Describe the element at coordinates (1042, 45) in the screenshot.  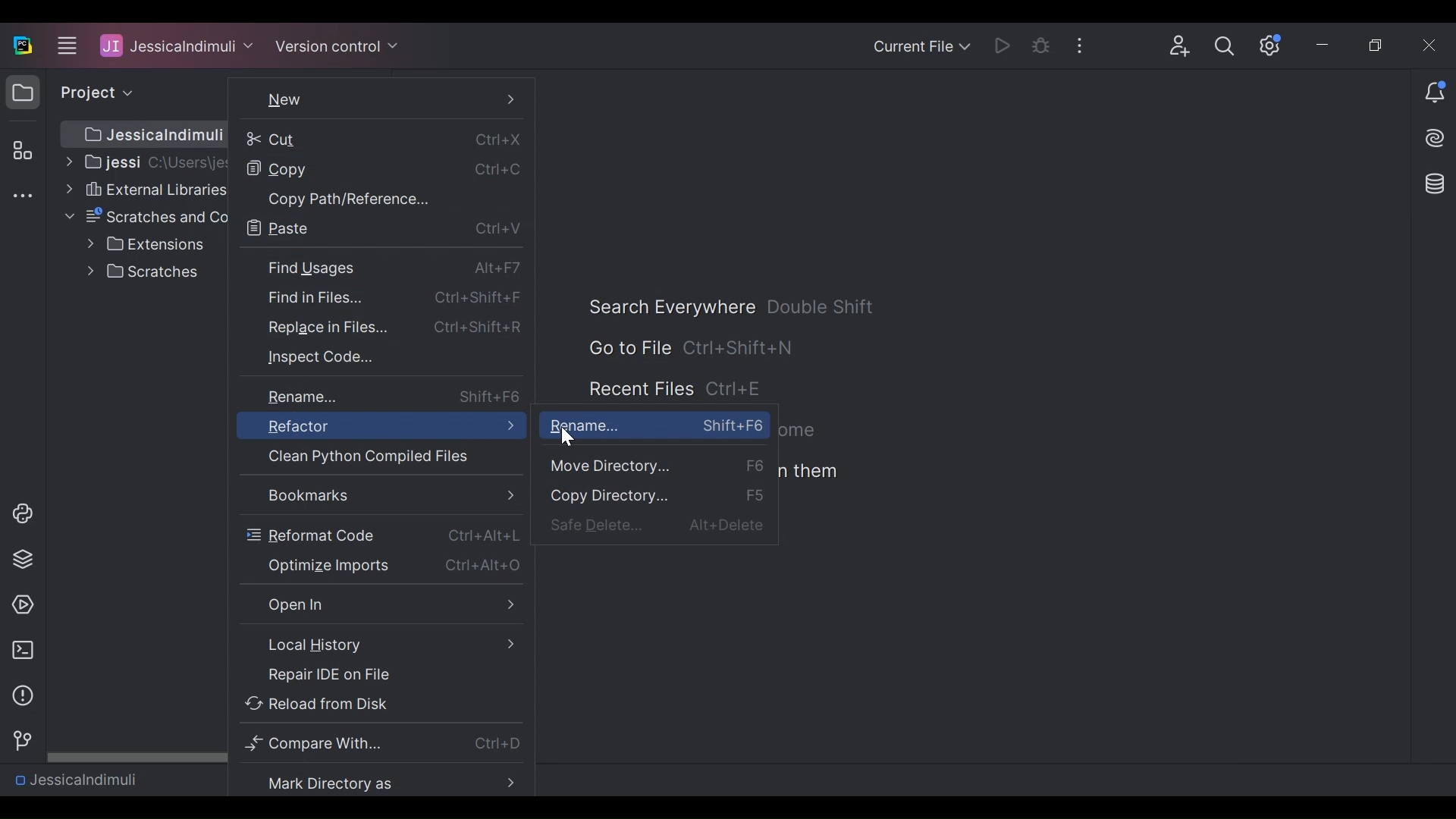
I see `Debug` at that location.